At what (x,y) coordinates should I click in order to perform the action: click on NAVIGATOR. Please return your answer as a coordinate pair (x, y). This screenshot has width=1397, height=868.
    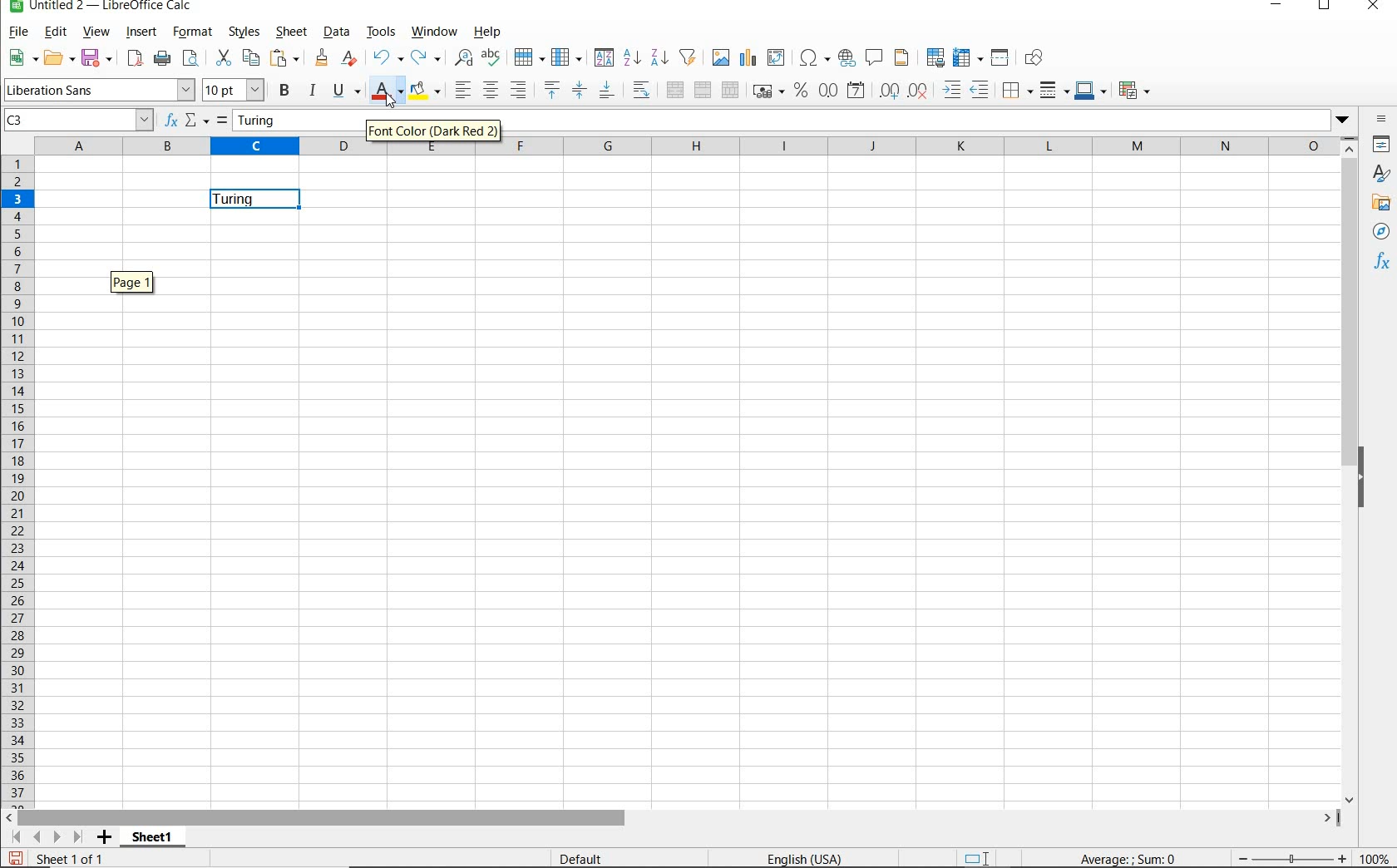
    Looking at the image, I should click on (1383, 233).